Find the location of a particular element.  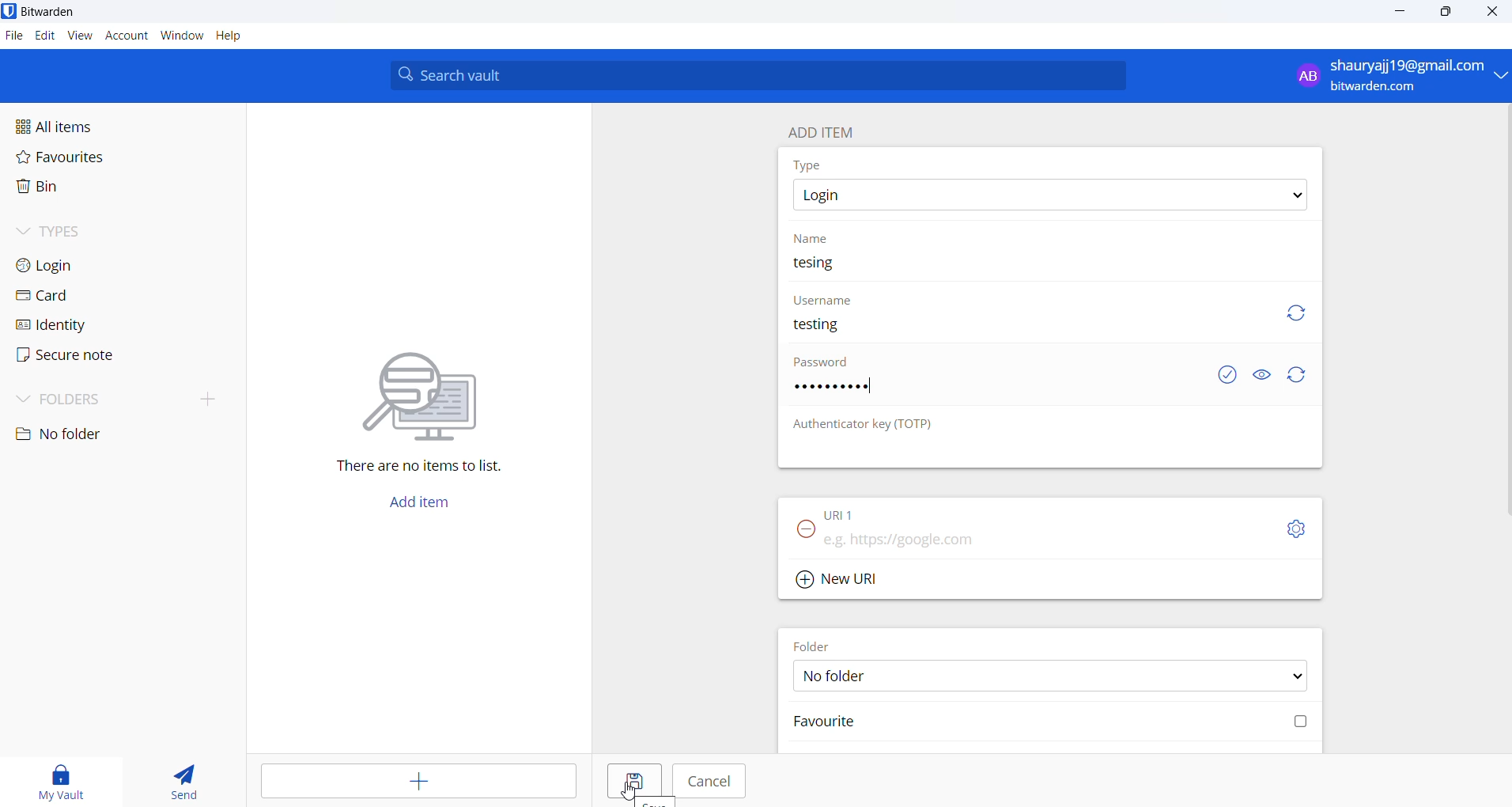

toggle options is located at coordinates (1296, 529).